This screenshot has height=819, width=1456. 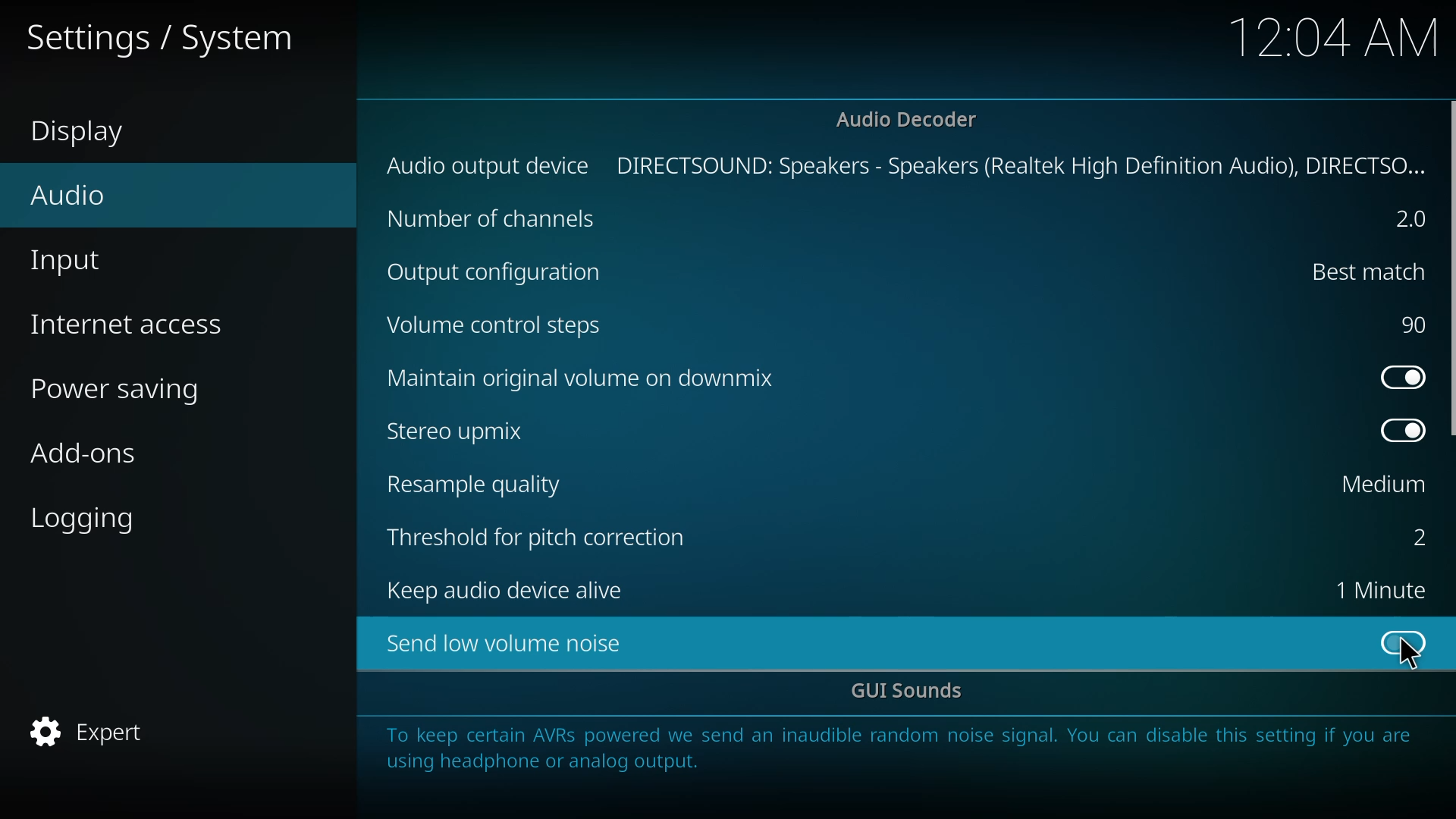 What do you see at coordinates (1413, 220) in the screenshot?
I see `2` at bounding box center [1413, 220].